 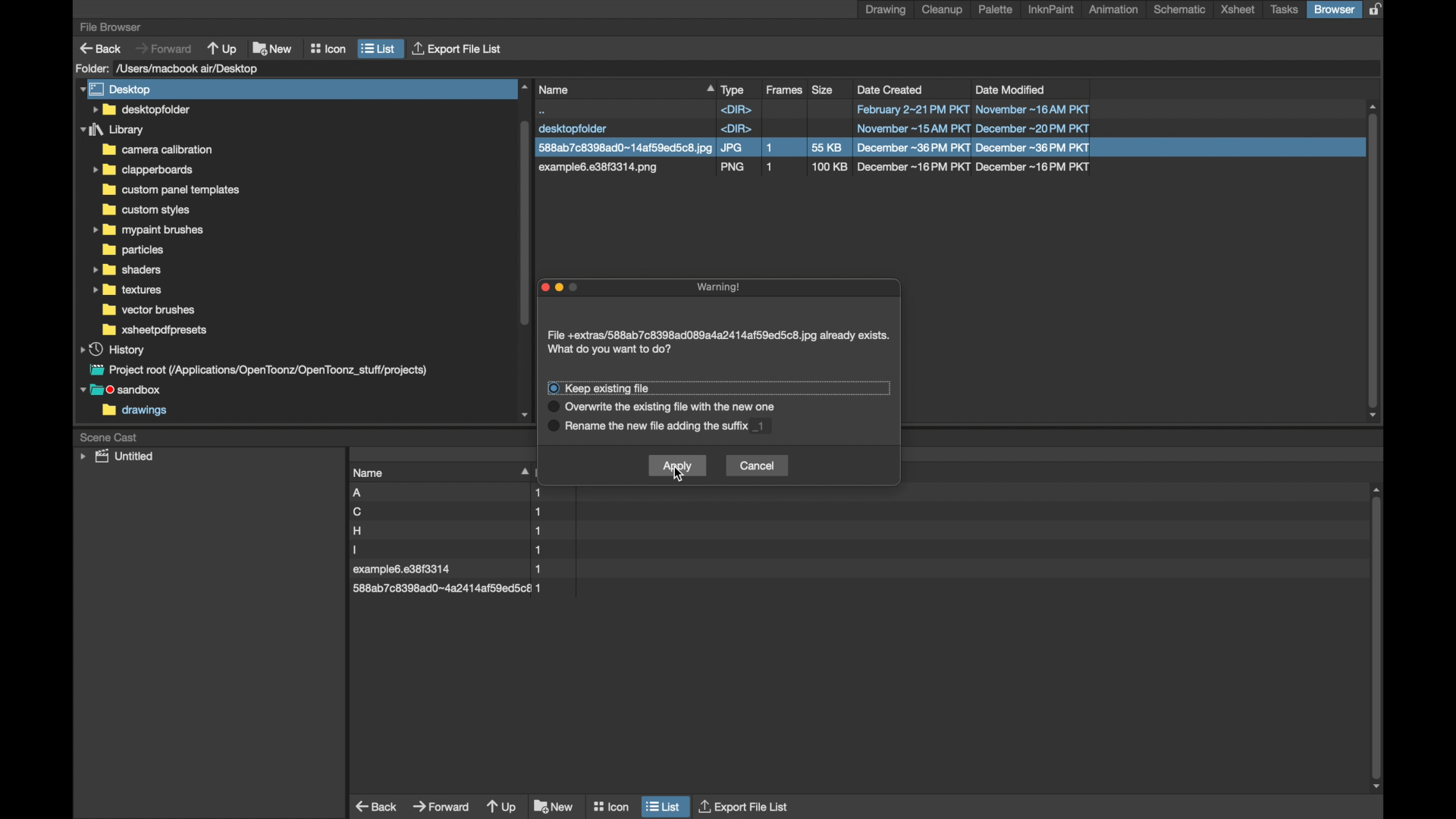 I want to click on scroll box, so click(x=523, y=249).